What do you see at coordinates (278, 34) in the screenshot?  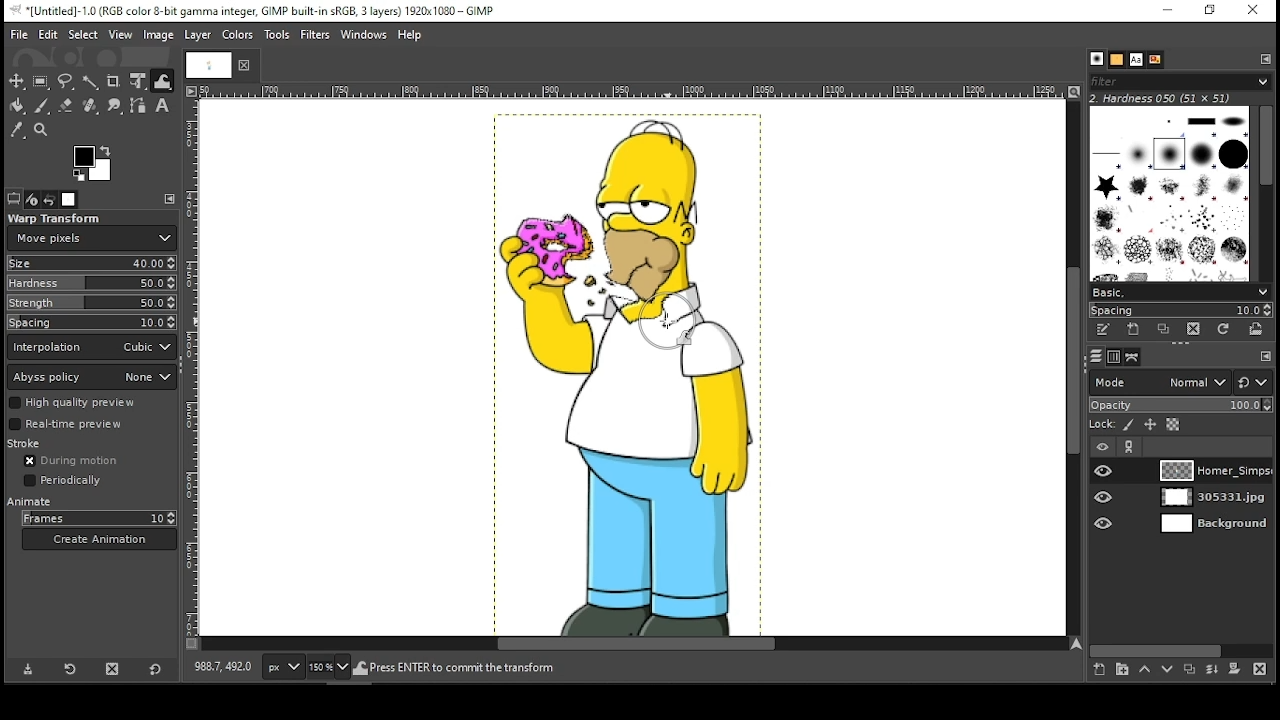 I see `tools` at bounding box center [278, 34].